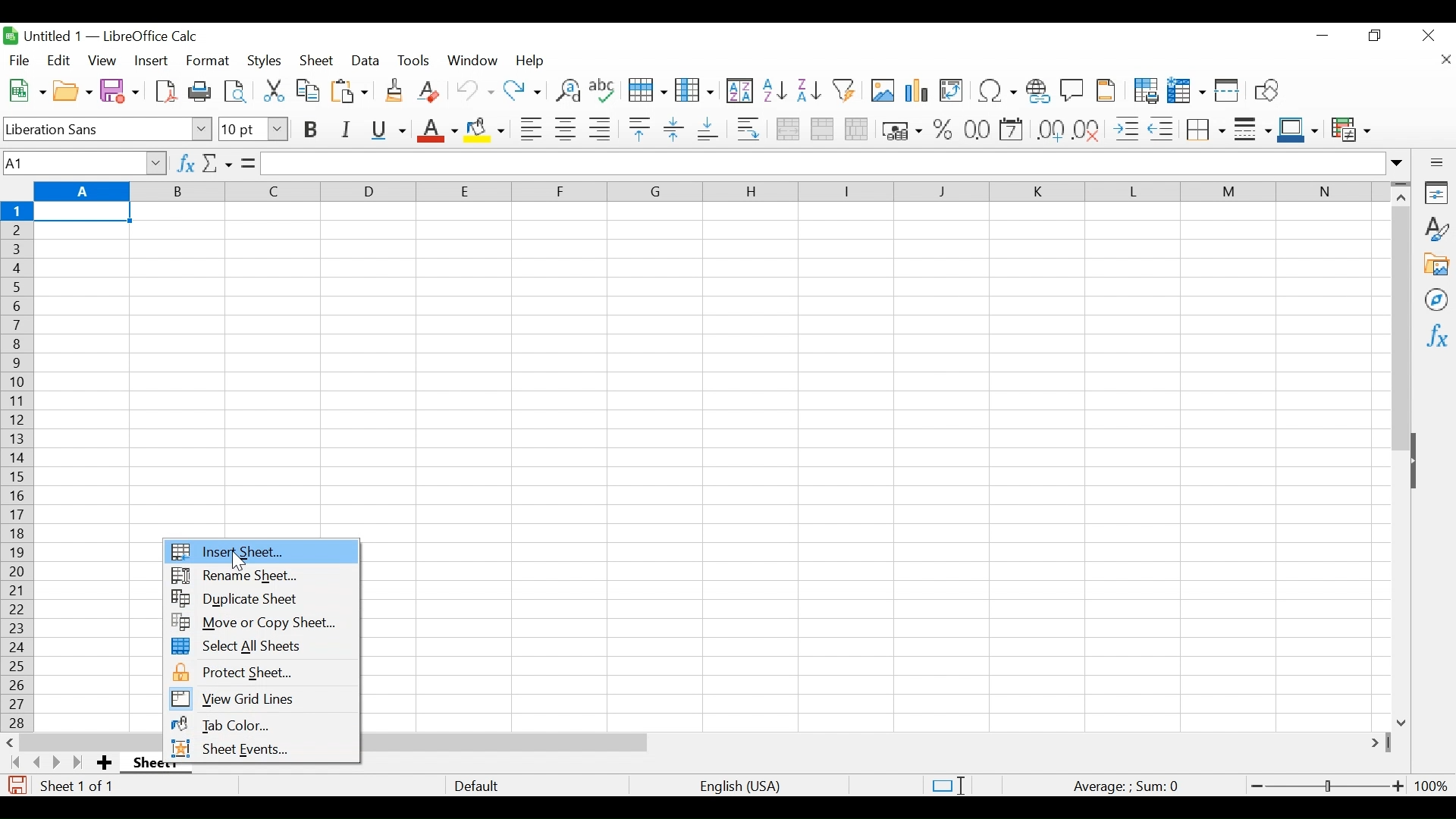 Image resolution: width=1456 pixels, height=819 pixels. What do you see at coordinates (1126, 129) in the screenshot?
I see `Increase Indent` at bounding box center [1126, 129].